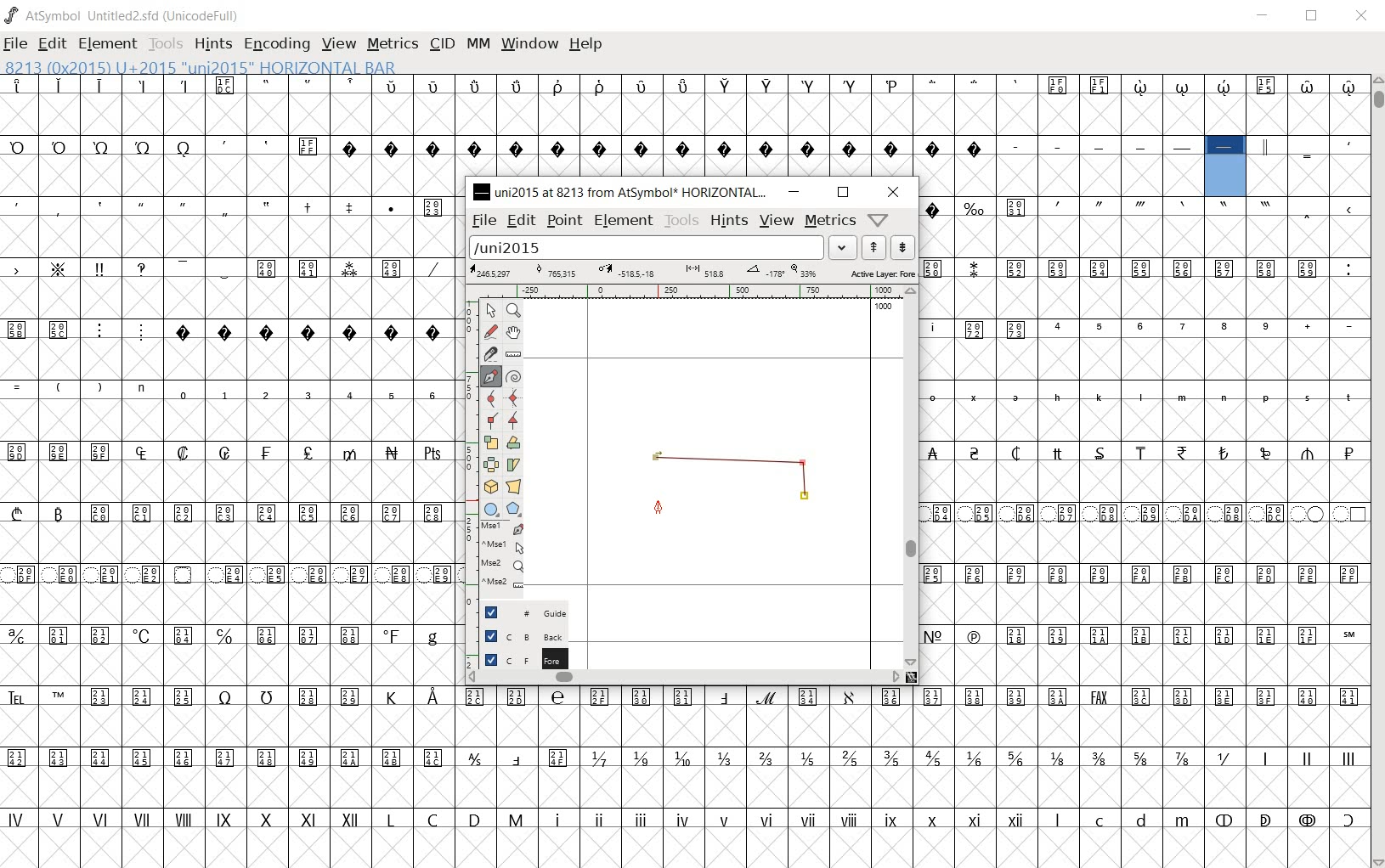 This screenshot has width=1385, height=868. Describe the element at coordinates (512, 420) in the screenshot. I see `Add a corner point` at that location.